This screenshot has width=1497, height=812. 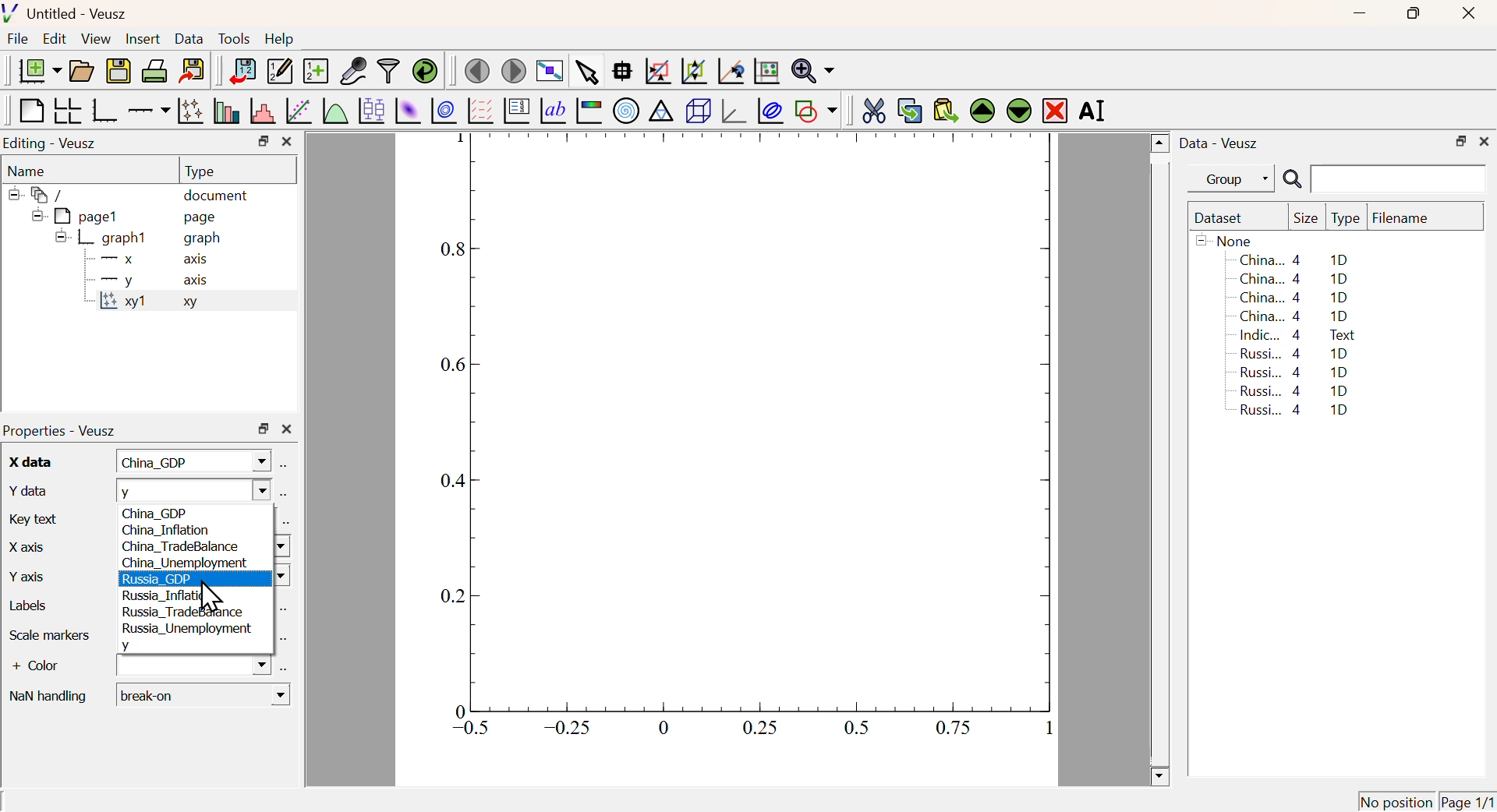 I want to click on China_Unemployment, so click(x=186, y=563).